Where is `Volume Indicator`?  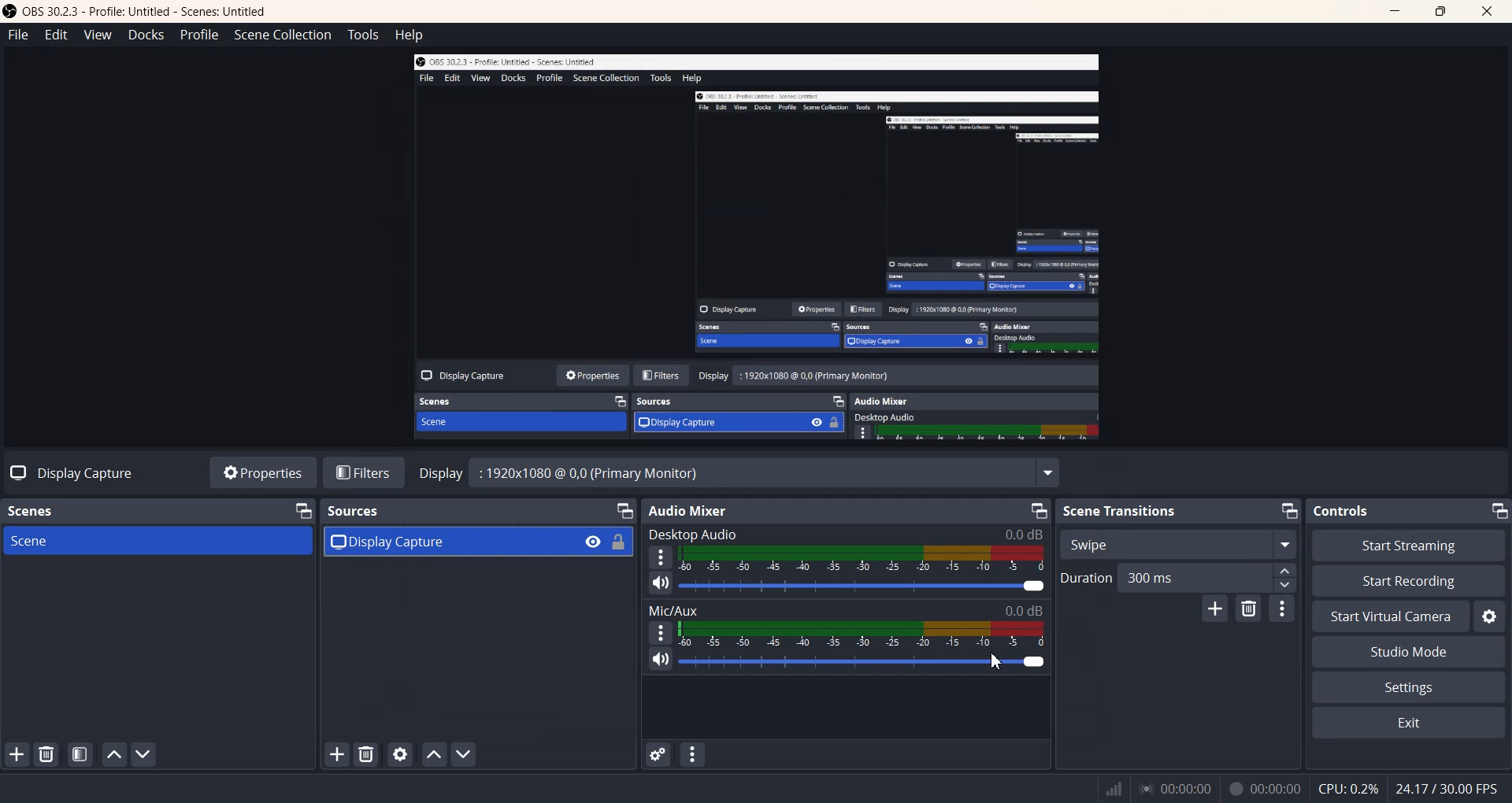 Volume Indicator is located at coordinates (862, 634).